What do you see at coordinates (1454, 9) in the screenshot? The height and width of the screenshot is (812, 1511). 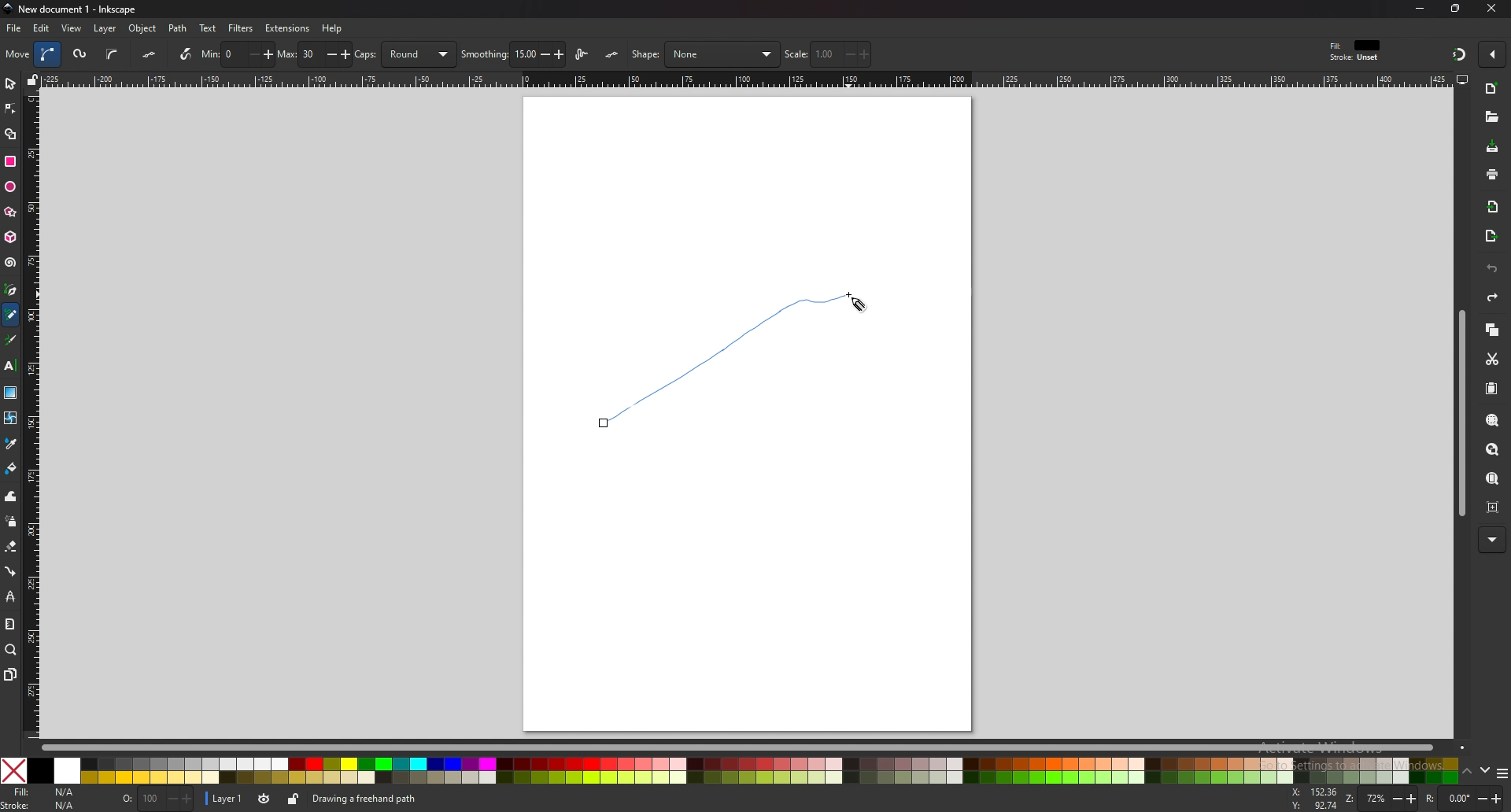 I see `resize` at bounding box center [1454, 9].